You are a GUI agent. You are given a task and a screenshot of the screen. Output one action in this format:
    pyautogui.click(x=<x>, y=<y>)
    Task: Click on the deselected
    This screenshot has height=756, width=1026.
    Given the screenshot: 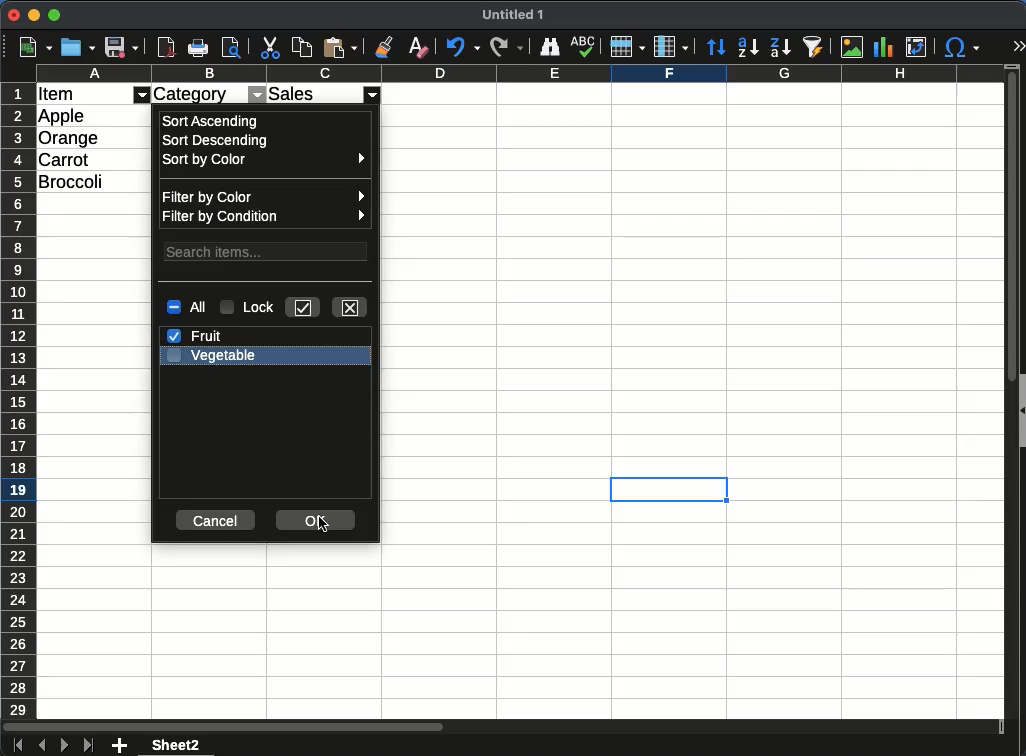 What is the action you would take?
    pyautogui.click(x=172, y=357)
    